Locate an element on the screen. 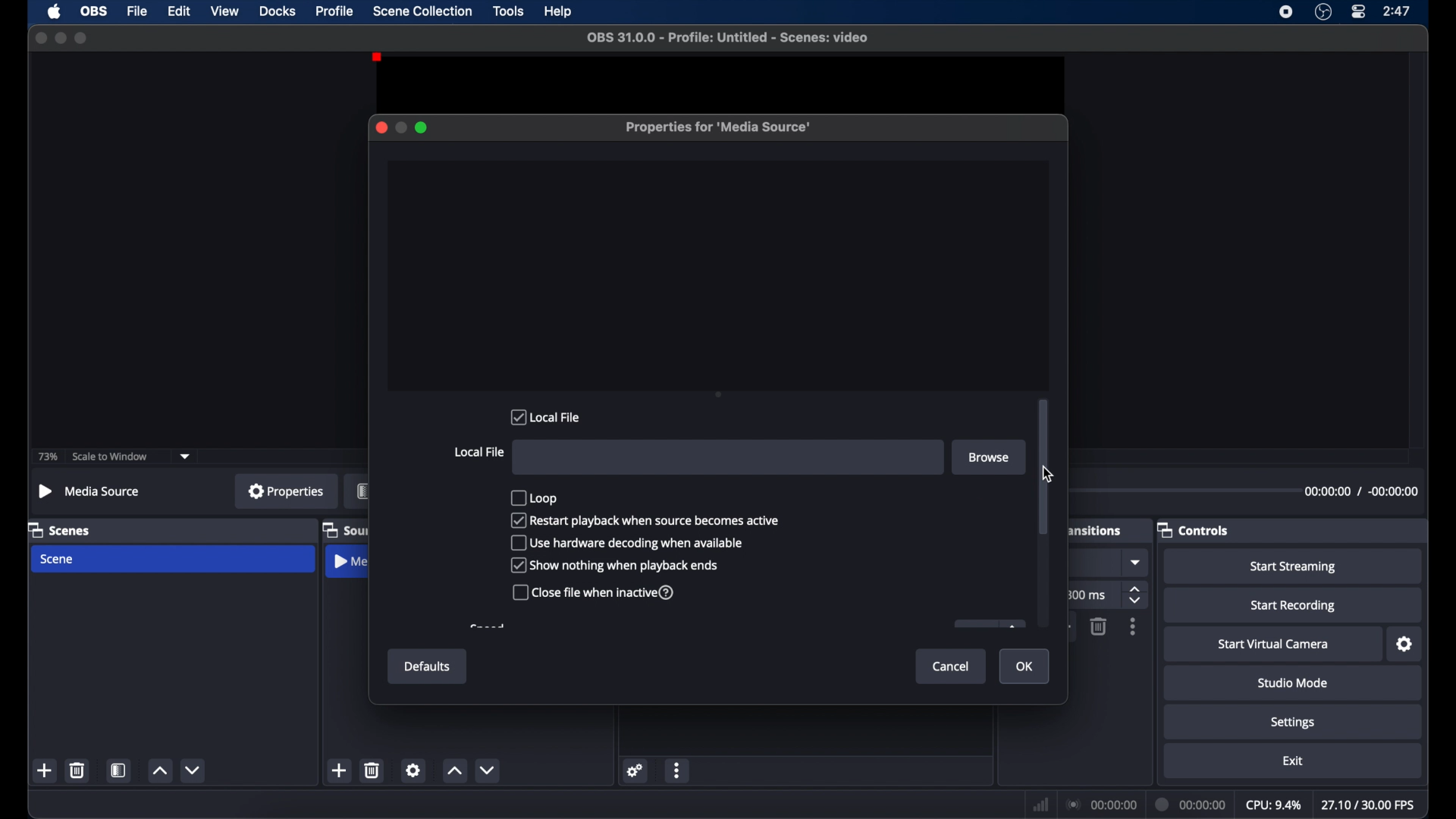 This screenshot has width=1456, height=819. add is located at coordinates (338, 770).